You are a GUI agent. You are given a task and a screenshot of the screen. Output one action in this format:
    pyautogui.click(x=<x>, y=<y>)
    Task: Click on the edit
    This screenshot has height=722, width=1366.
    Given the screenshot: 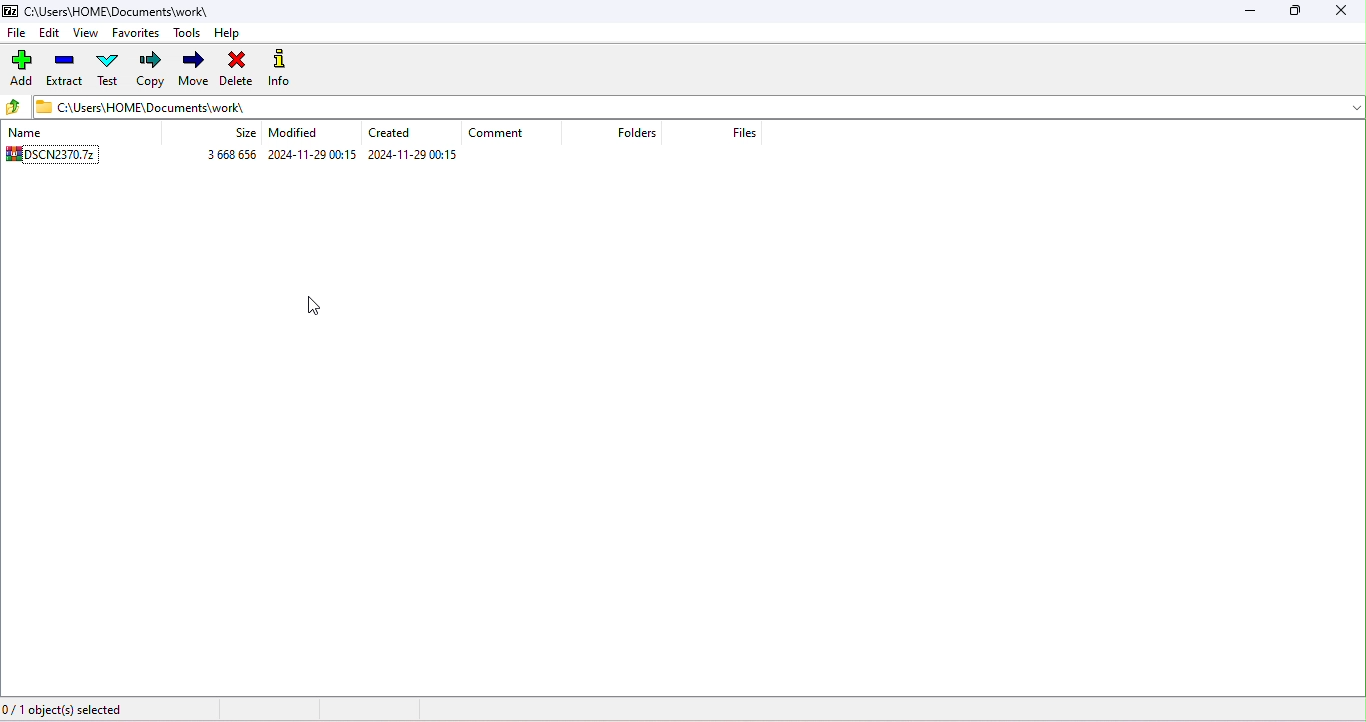 What is the action you would take?
    pyautogui.click(x=50, y=33)
    